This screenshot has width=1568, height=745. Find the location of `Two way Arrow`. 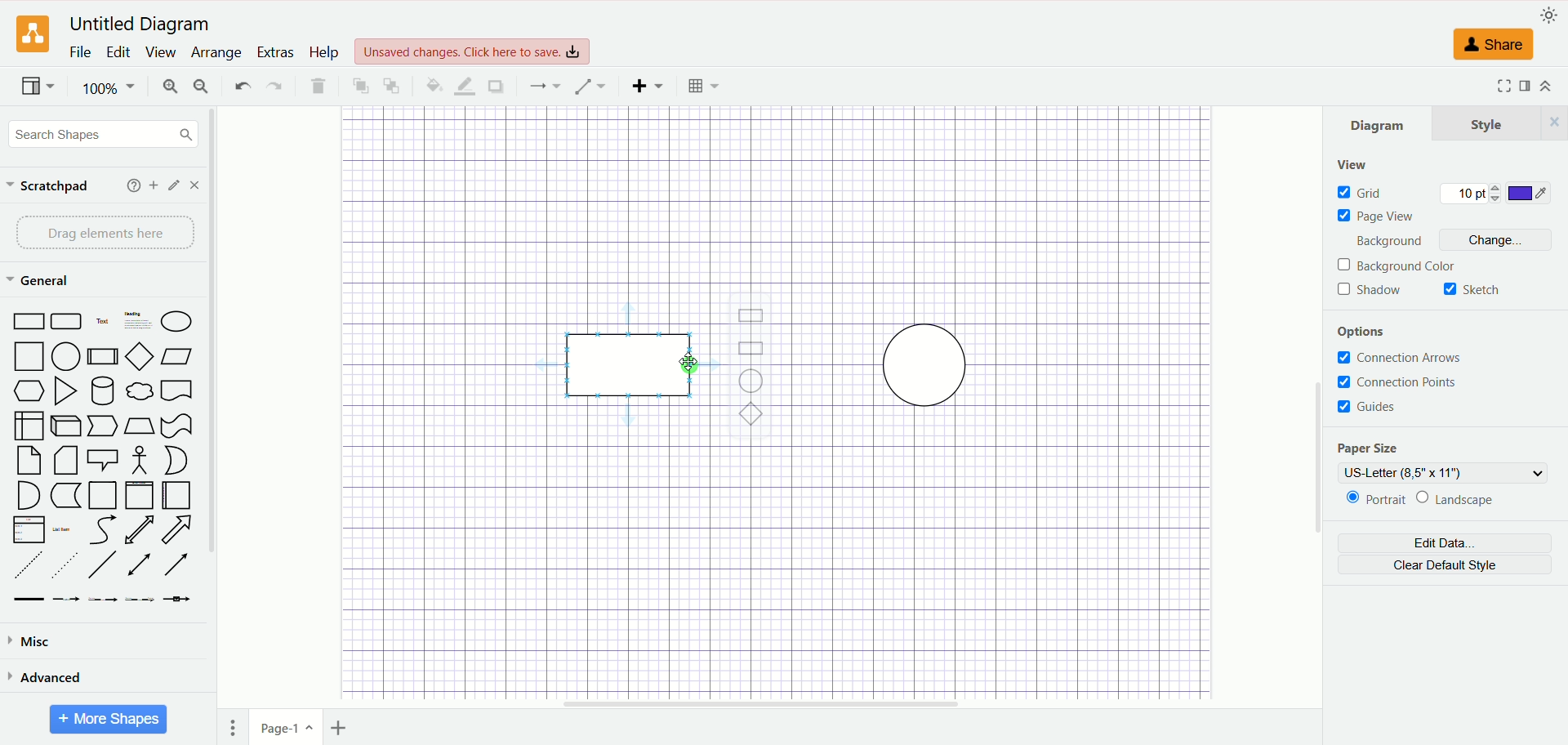

Two way Arrow is located at coordinates (141, 530).